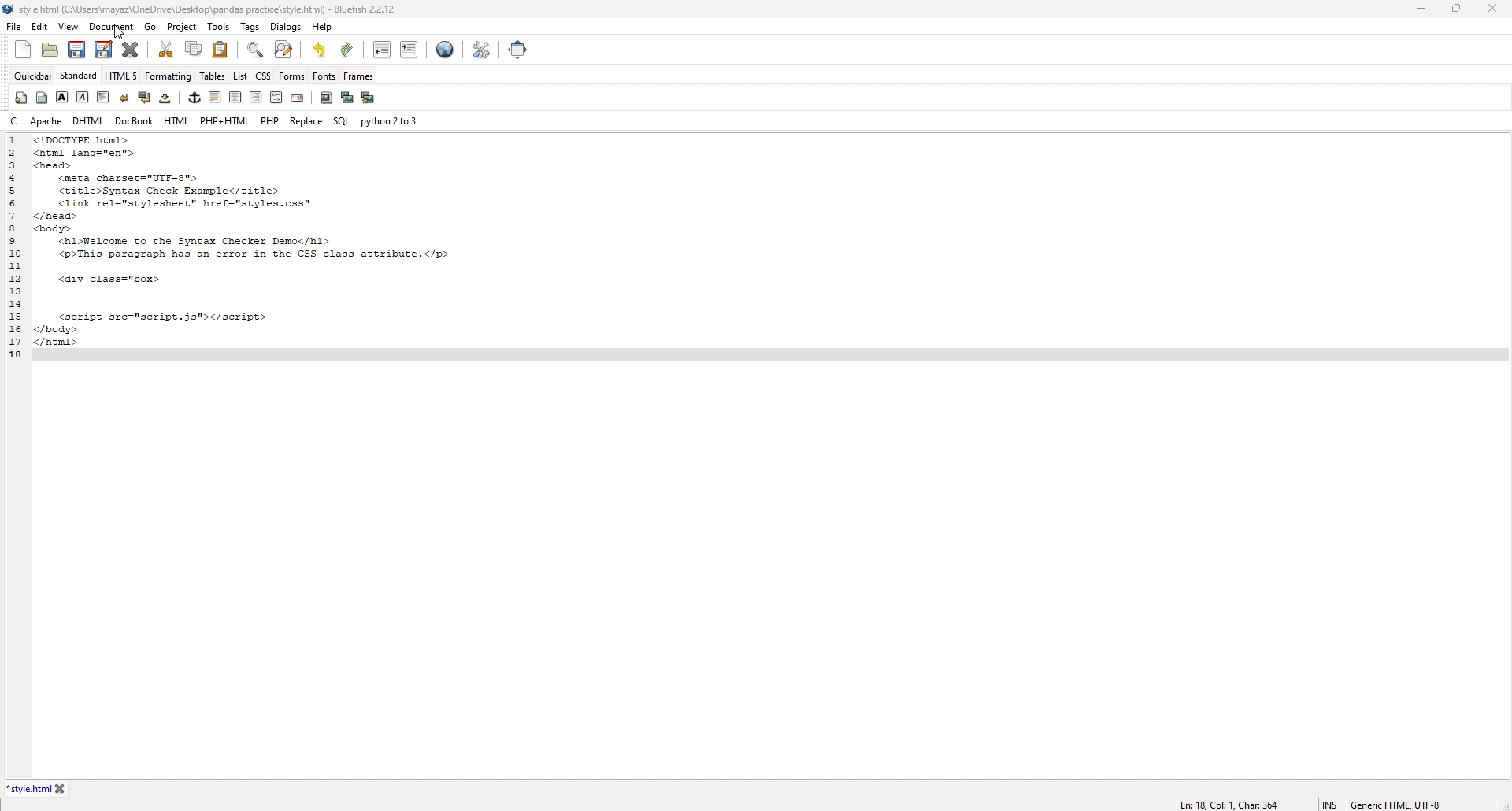 This screenshot has width=1512, height=811. Describe the element at coordinates (409, 49) in the screenshot. I see `indent` at that location.